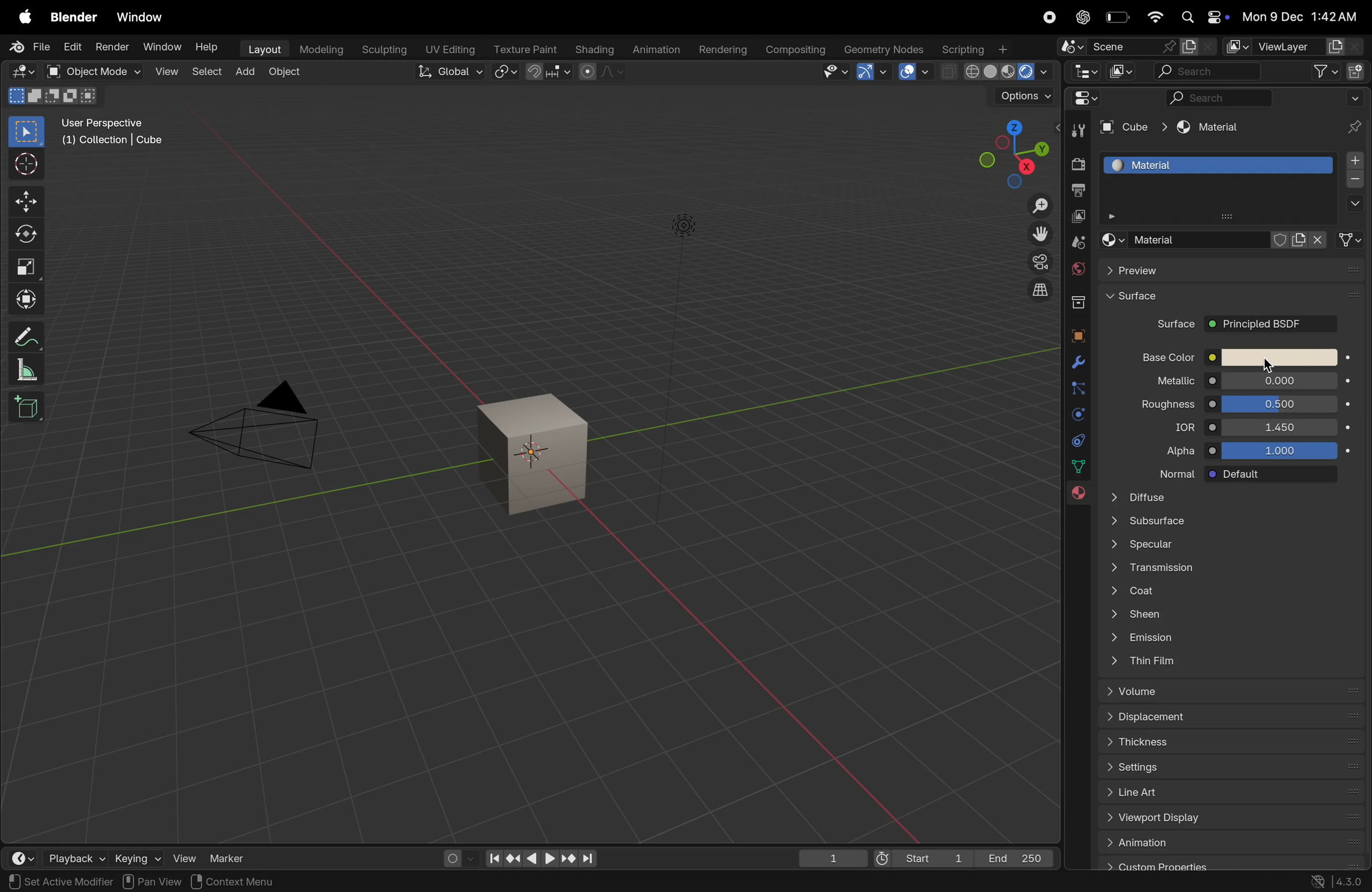  Describe the element at coordinates (1229, 272) in the screenshot. I see `Preview` at that location.